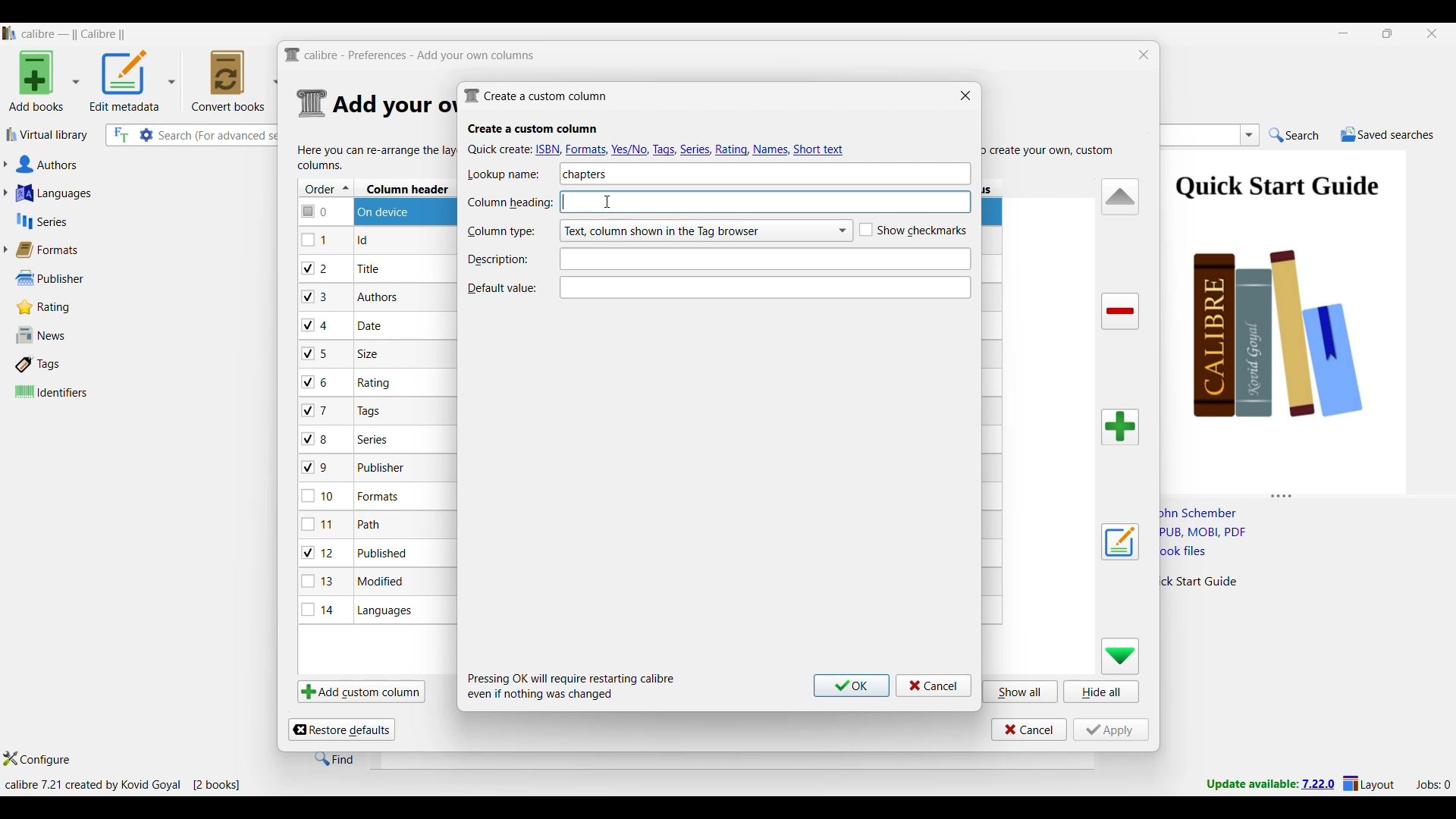 The height and width of the screenshot is (819, 1456). What do you see at coordinates (705, 231) in the screenshot?
I see `Column type options` at bounding box center [705, 231].